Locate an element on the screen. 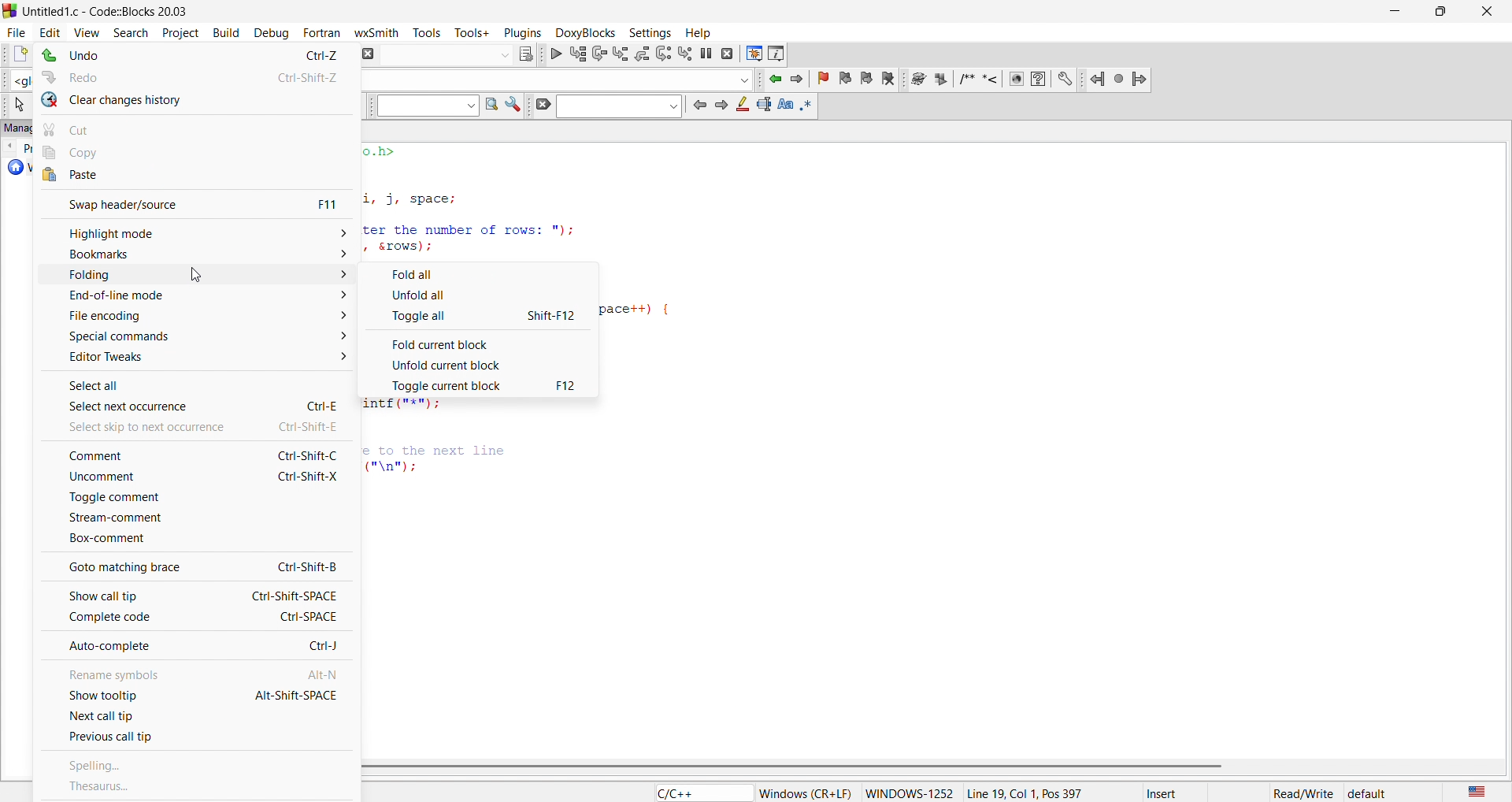 This screenshot has width=1512, height=802. debug/continue is located at coordinates (554, 54).